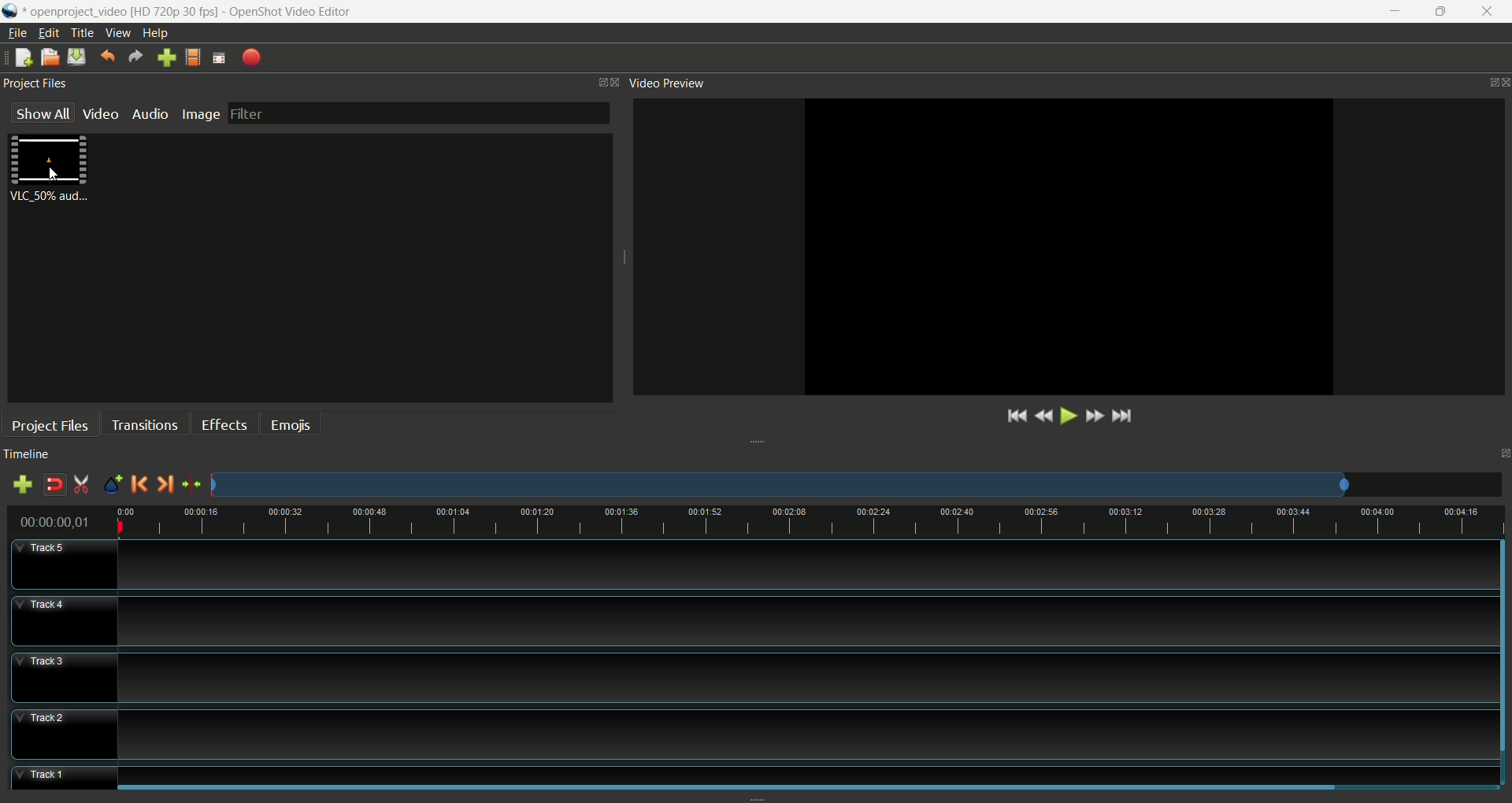  I want to click on time, so click(56, 523).